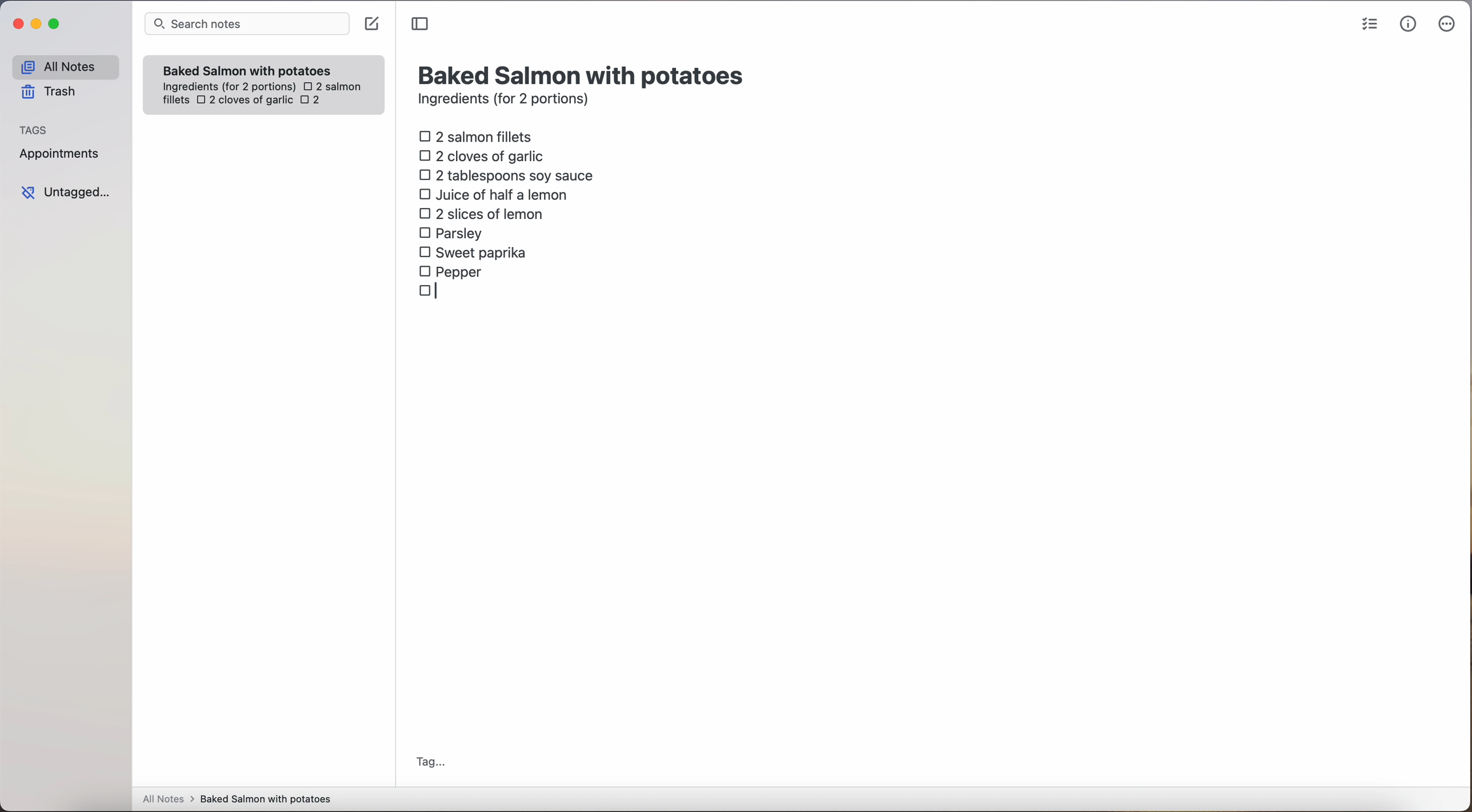 The width and height of the screenshot is (1472, 812). What do you see at coordinates (177, 101) in the screenshot?
I see `fillets` at bounding box center [177, 101].